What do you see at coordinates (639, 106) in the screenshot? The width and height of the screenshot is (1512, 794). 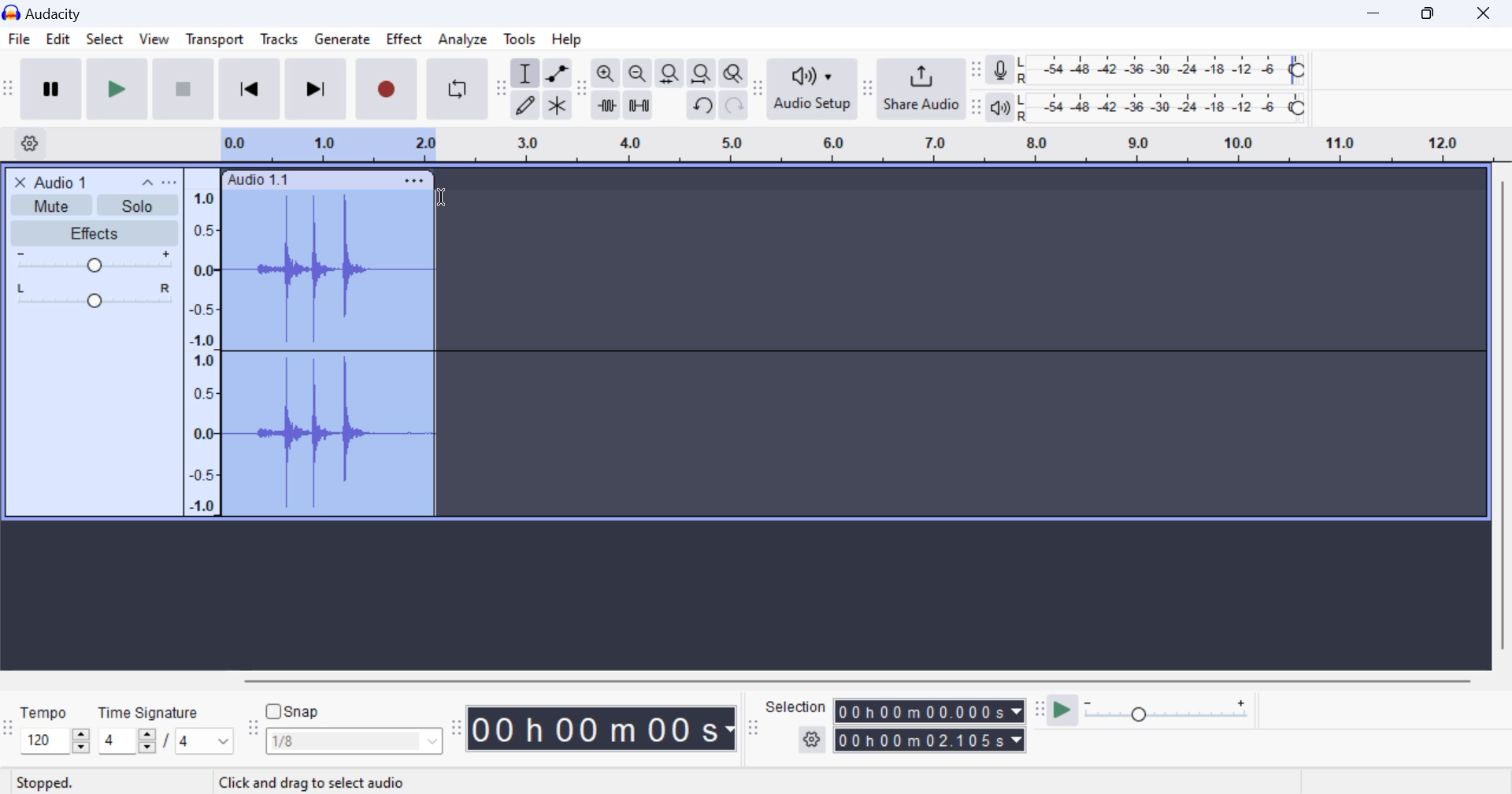 I see `silence audio selection` at bounding box center [639, 106].